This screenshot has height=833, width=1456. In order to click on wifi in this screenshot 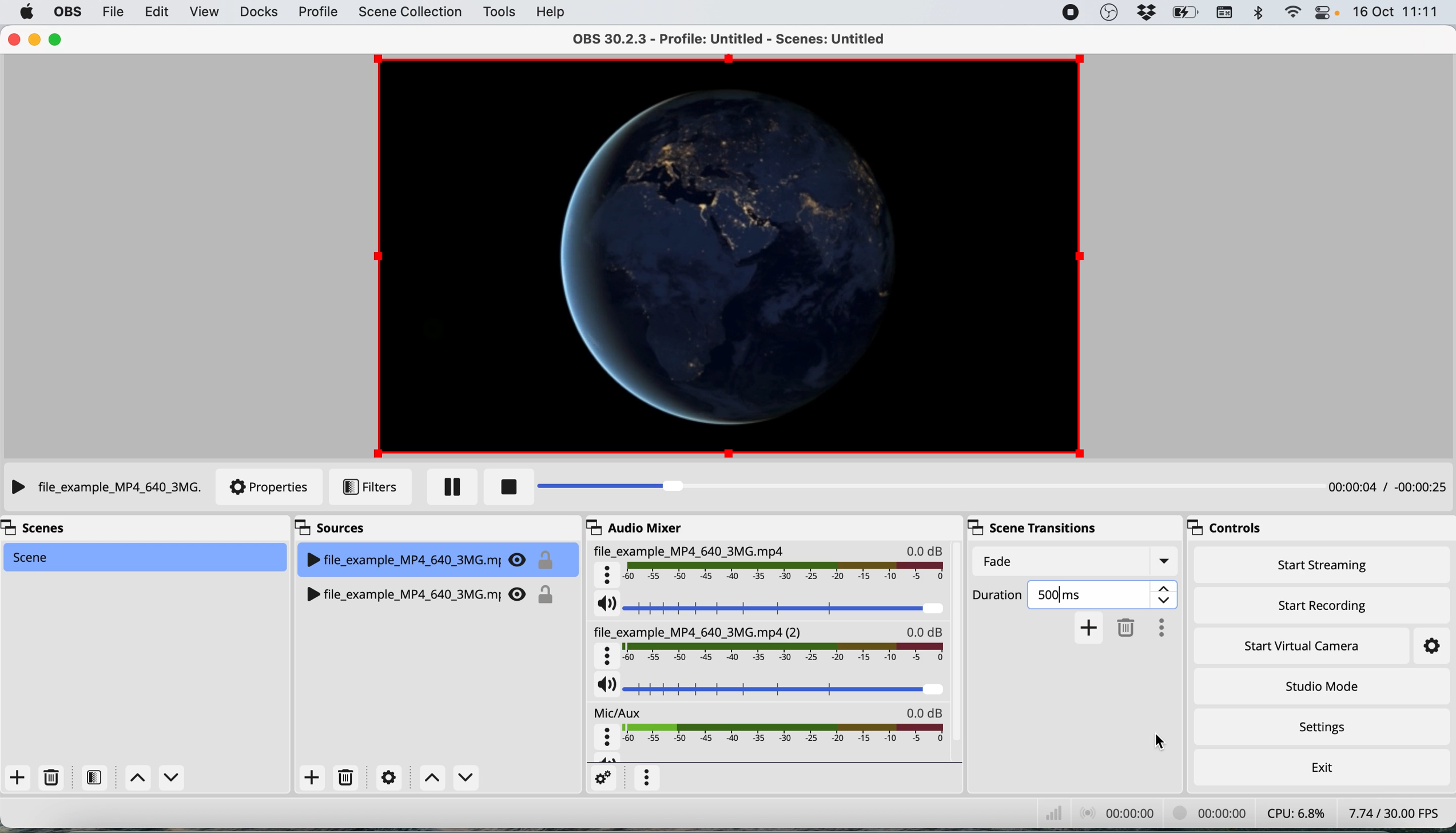, I will do `click(1294, 13)`.